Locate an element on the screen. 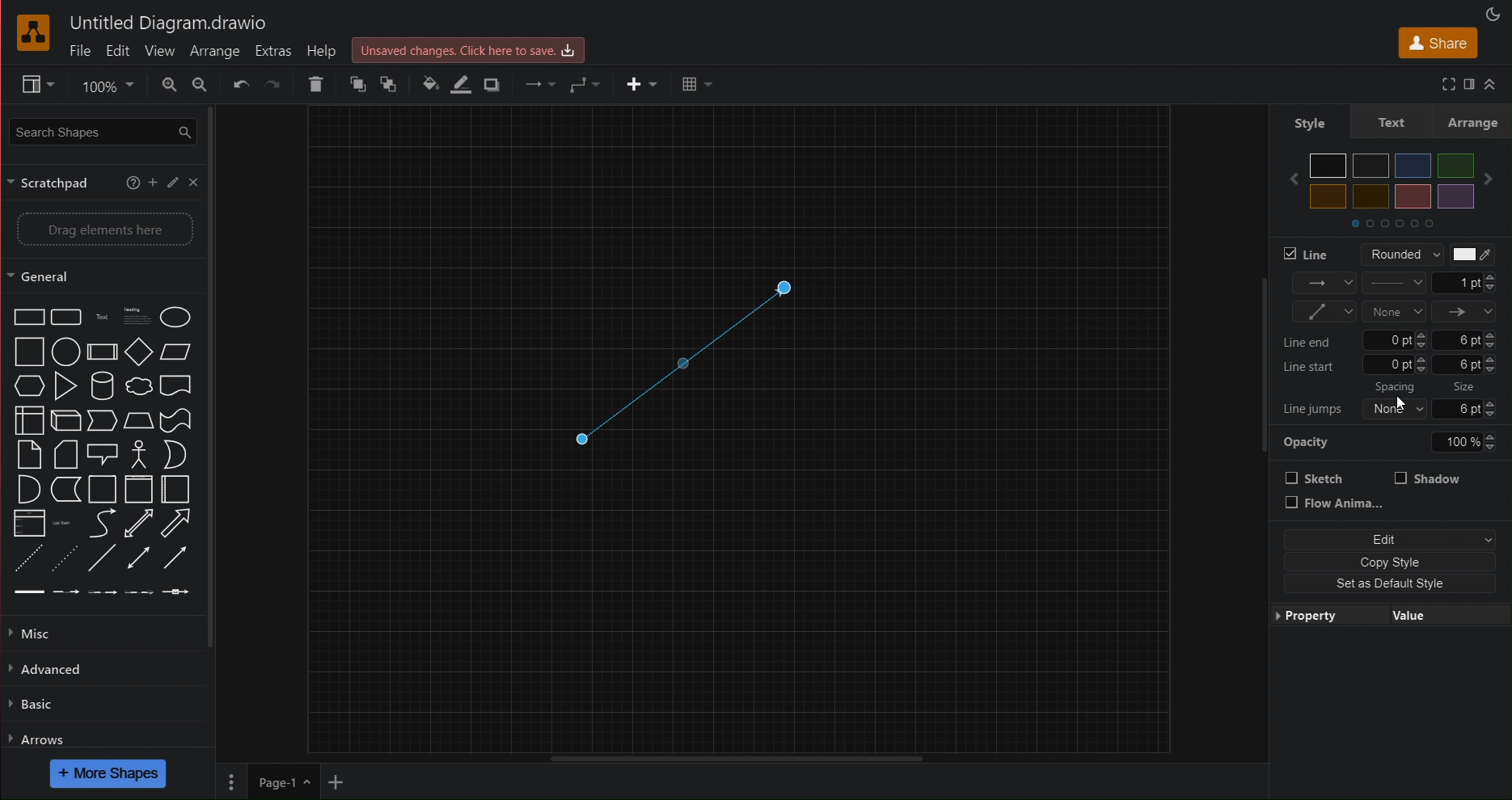 This screenshot has height=800, width=1512. Line is located at coordinates (1309, 254).